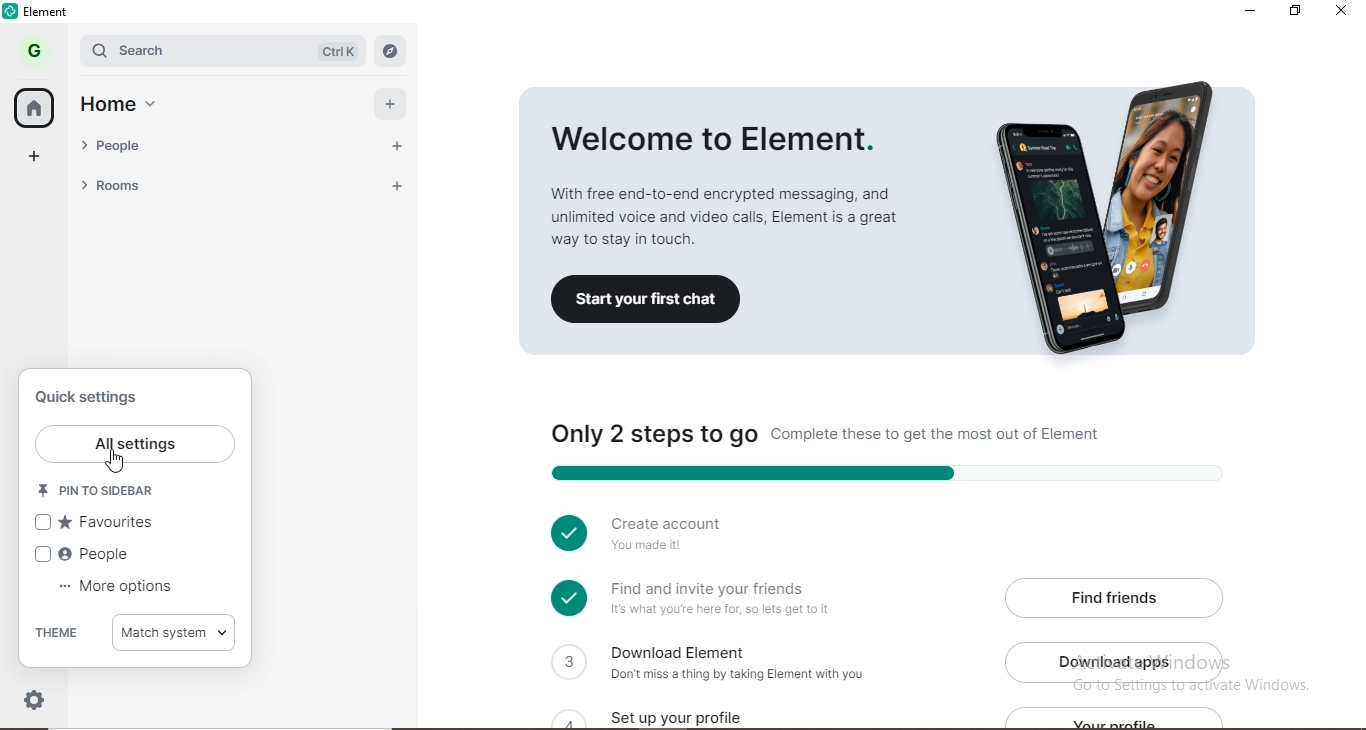 The height and width of the screenshot is (730, 1366). I want to click on find friends, so click(1119, 596).